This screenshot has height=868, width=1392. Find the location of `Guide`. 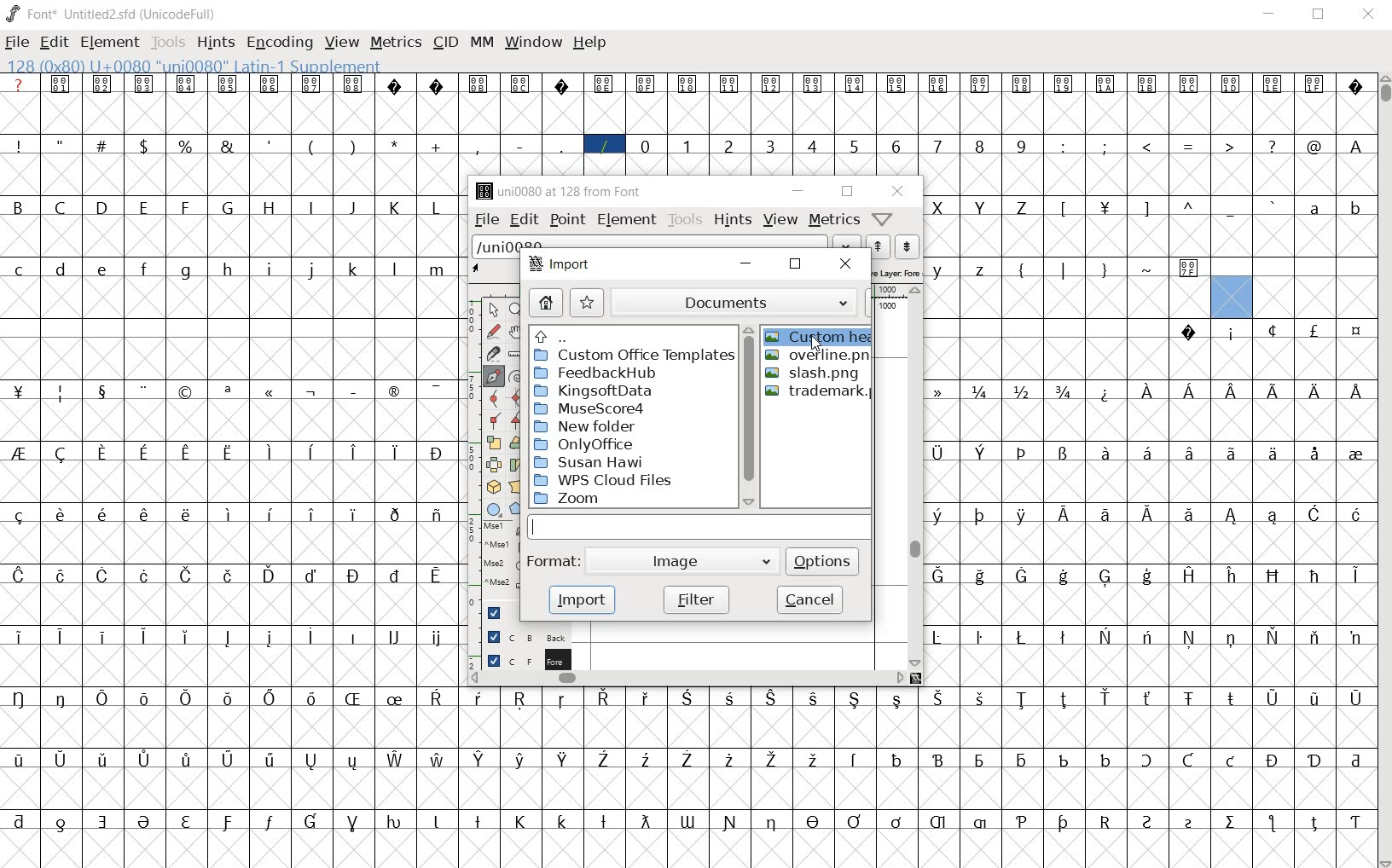

Guide is located at coordinates (491, 612).